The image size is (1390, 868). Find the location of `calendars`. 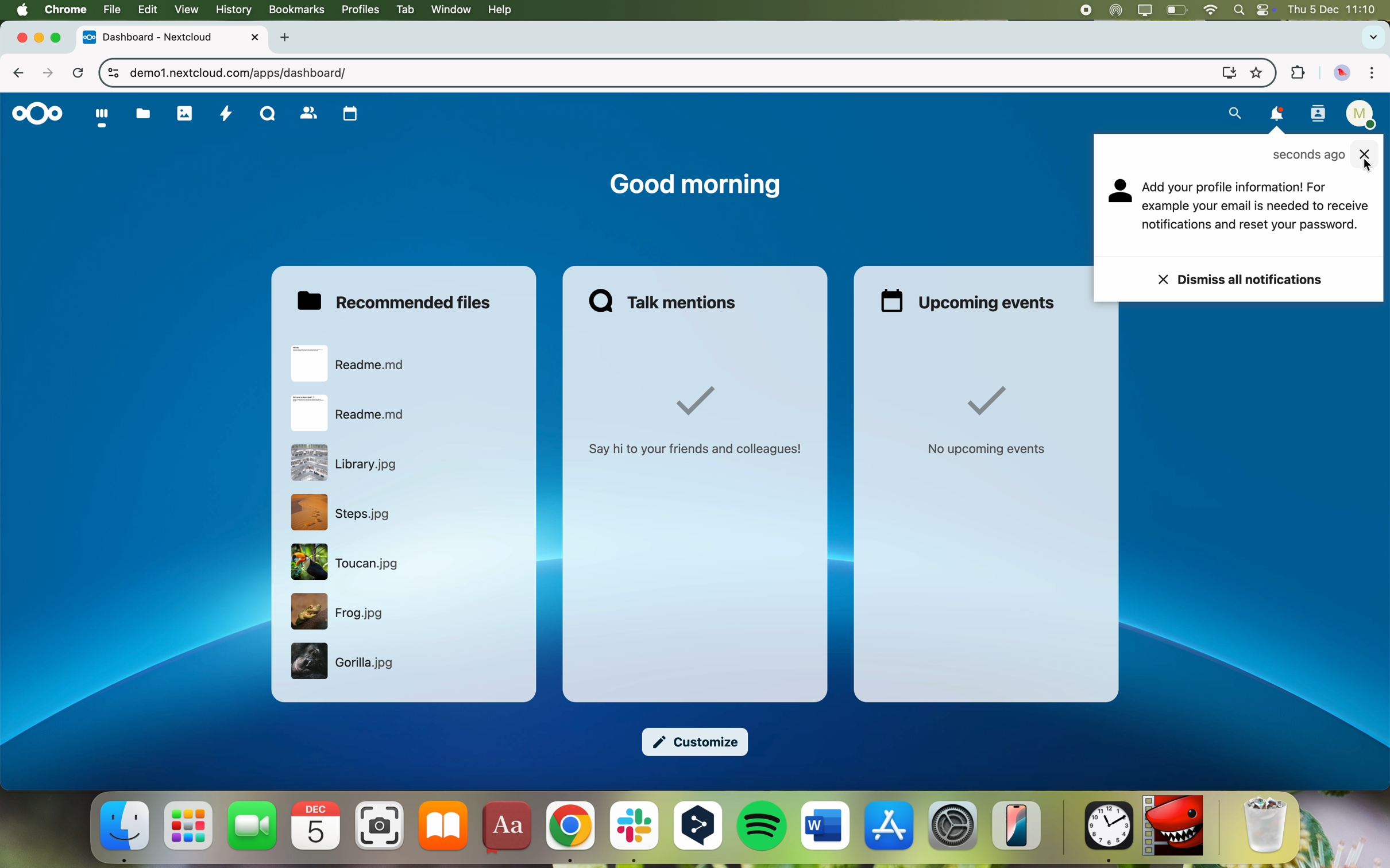

calendars is located at coordinates (350, 114).